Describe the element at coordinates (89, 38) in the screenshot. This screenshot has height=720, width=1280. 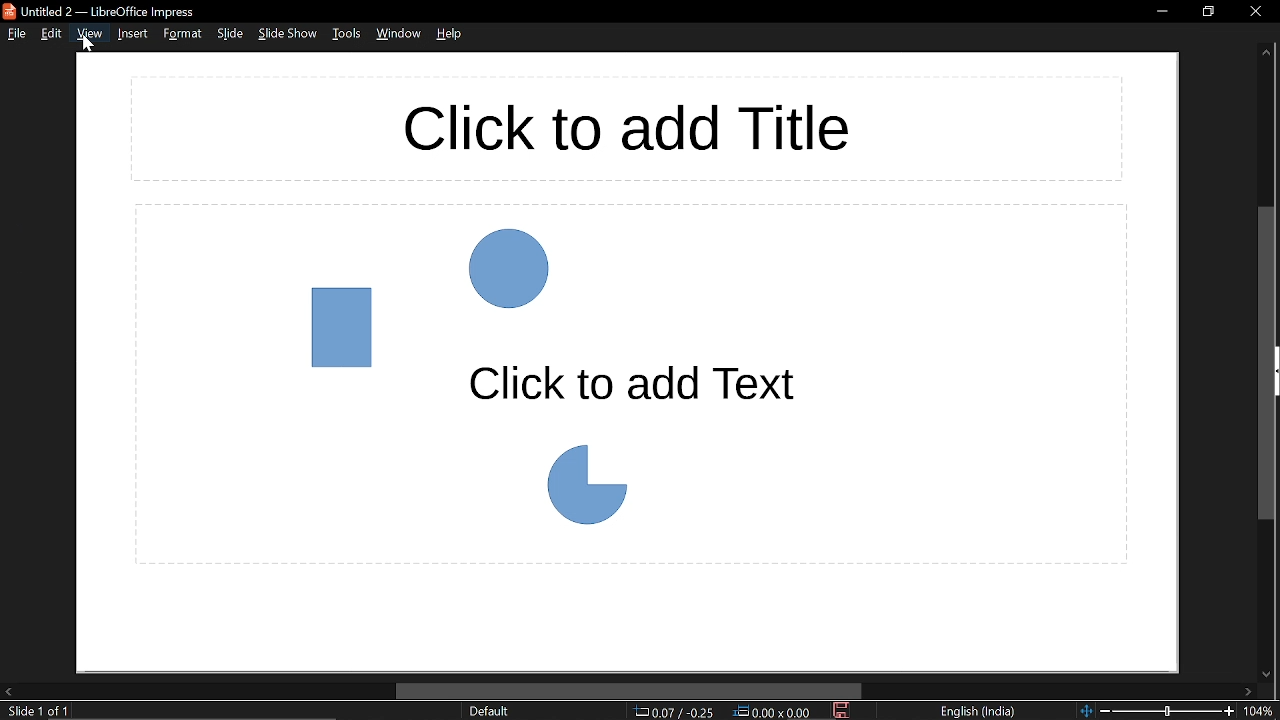
I see `View` at that location.